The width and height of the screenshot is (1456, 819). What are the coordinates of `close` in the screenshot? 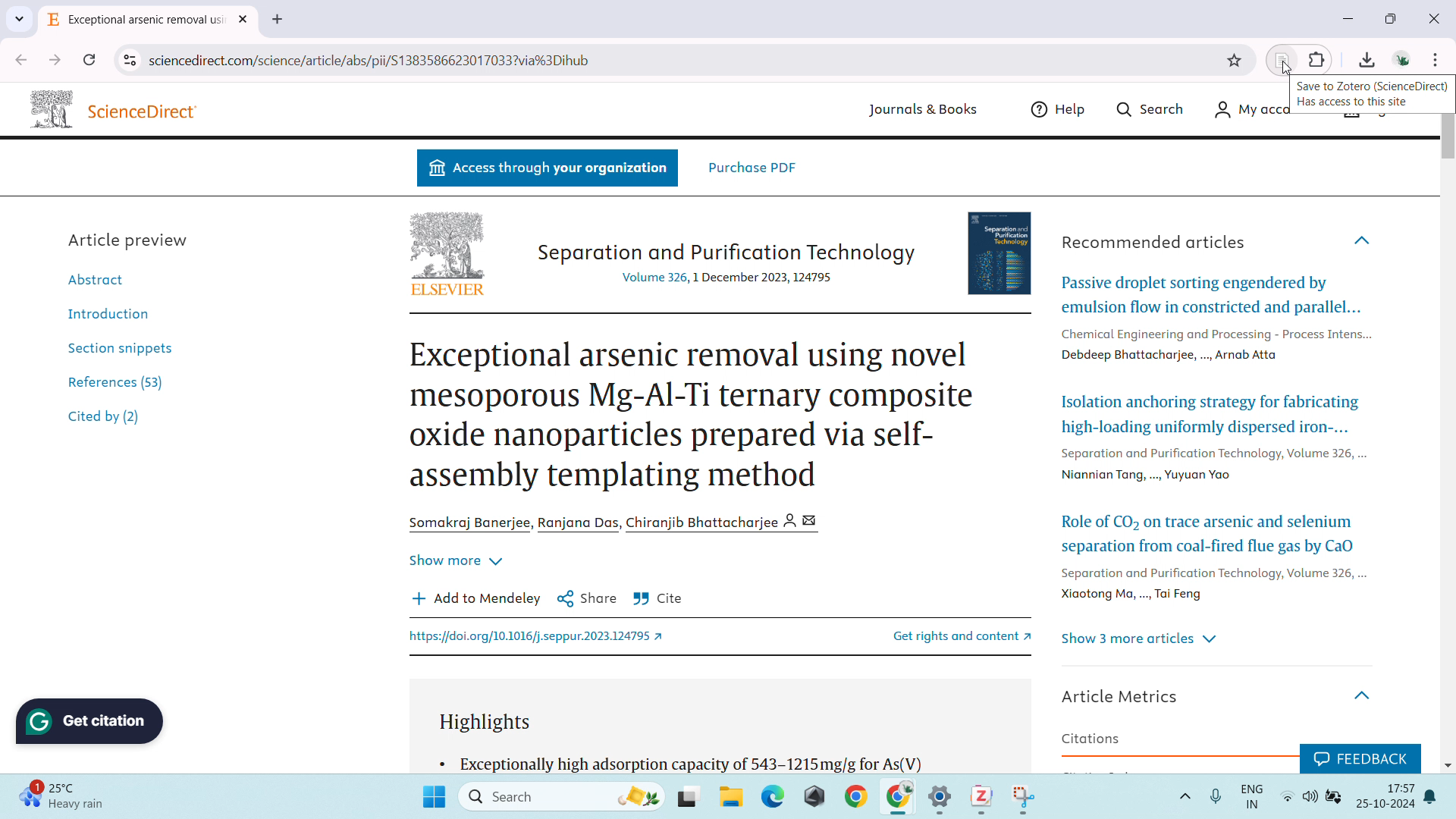 It's located at (1435, 17).